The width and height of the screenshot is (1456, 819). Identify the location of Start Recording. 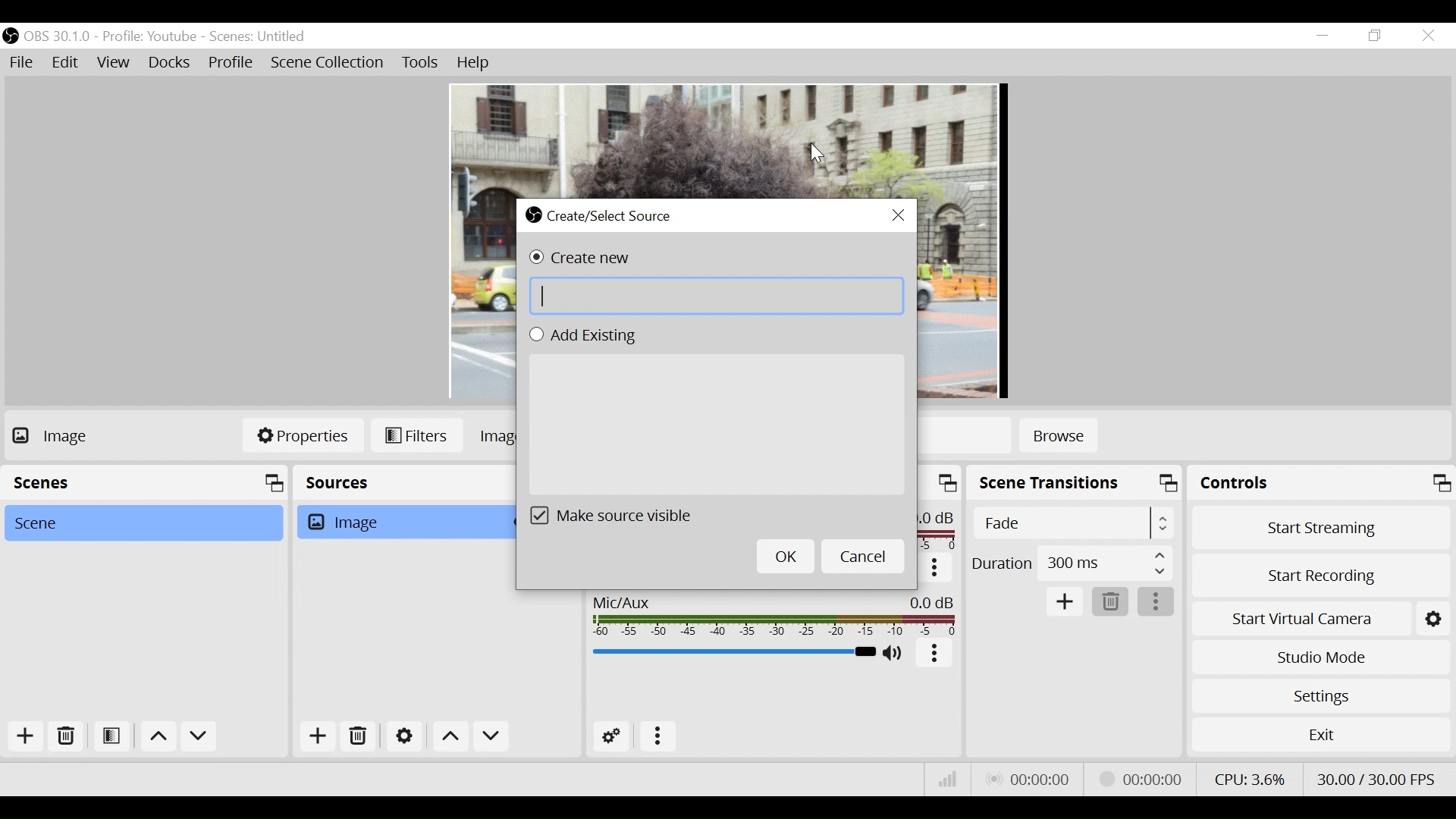
(1319, 576).